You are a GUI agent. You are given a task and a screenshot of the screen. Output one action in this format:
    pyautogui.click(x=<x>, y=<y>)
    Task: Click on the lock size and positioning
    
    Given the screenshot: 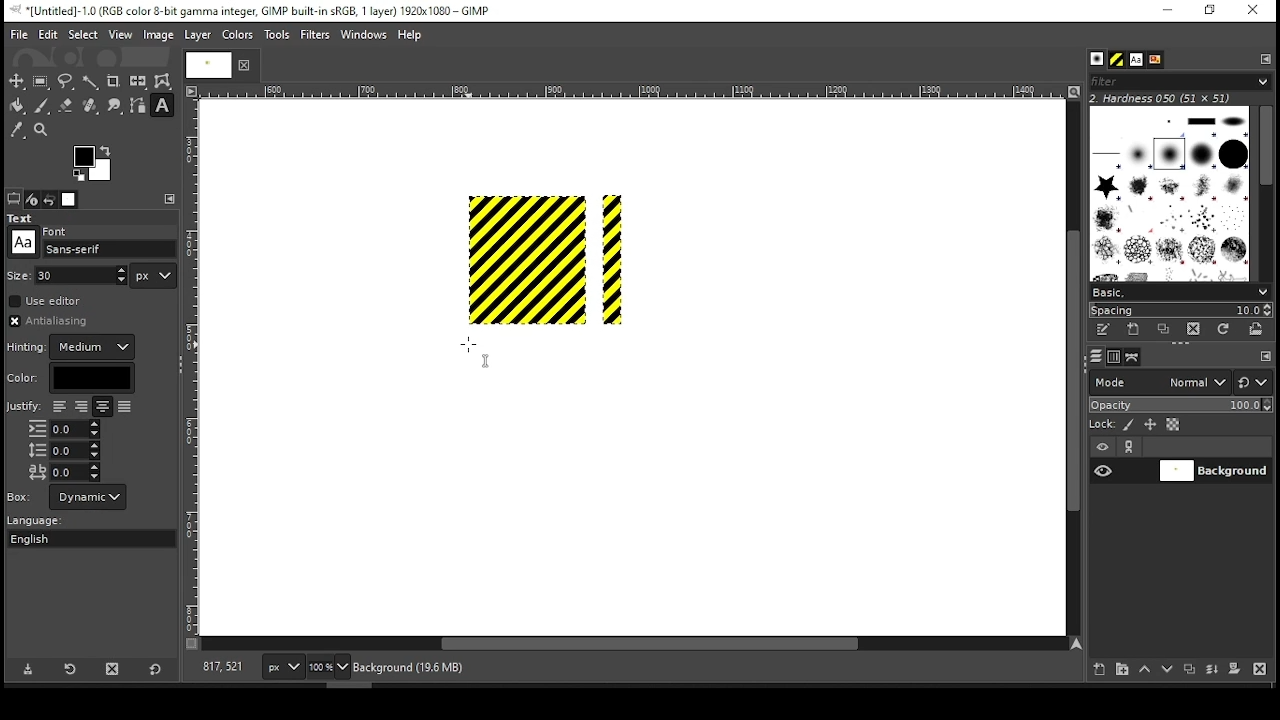 What is the action you would take?
    pyautogui.click(x=1152, y=425)
    